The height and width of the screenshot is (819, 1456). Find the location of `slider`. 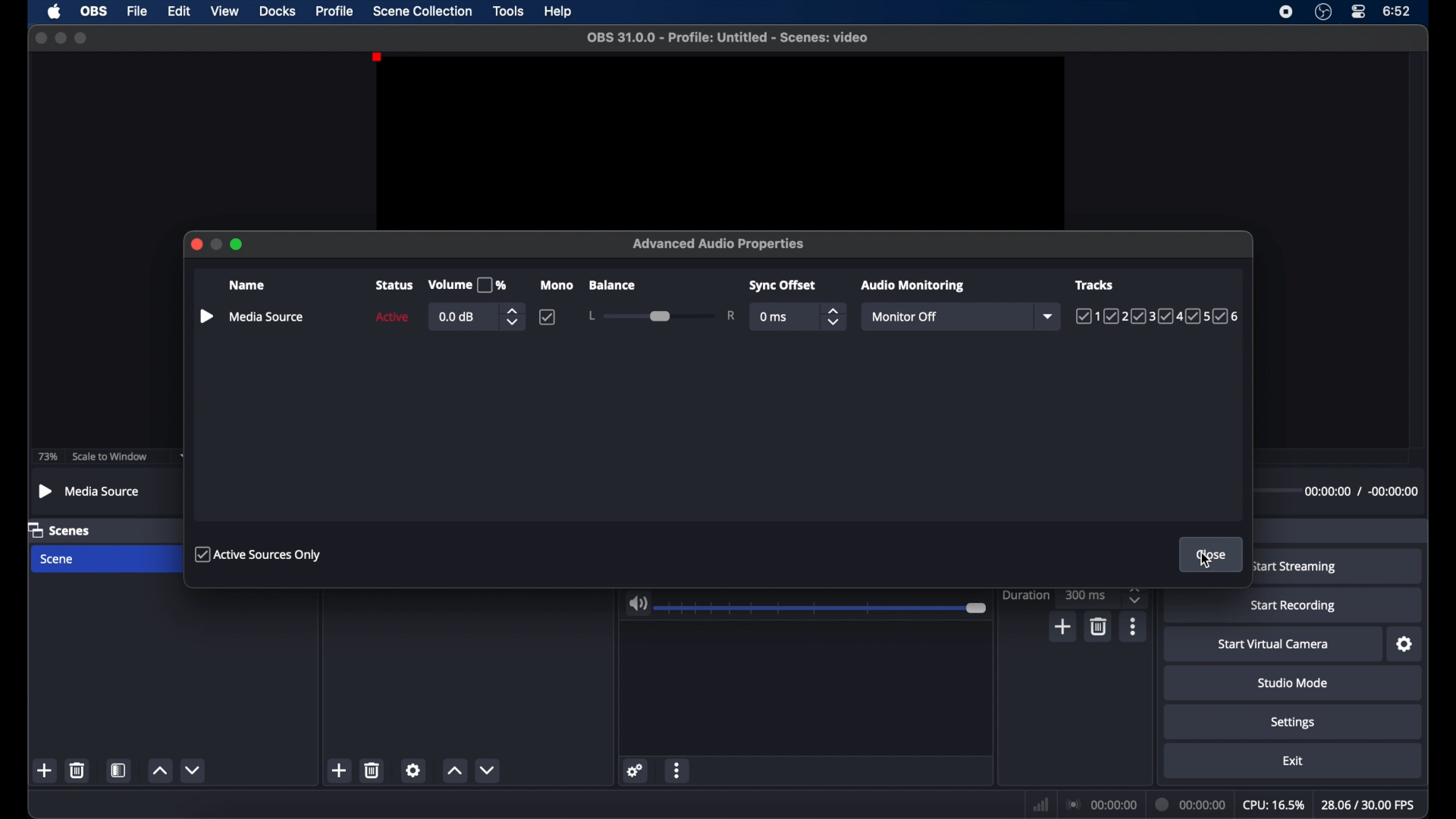

slider is located at coordinates (823, 609).